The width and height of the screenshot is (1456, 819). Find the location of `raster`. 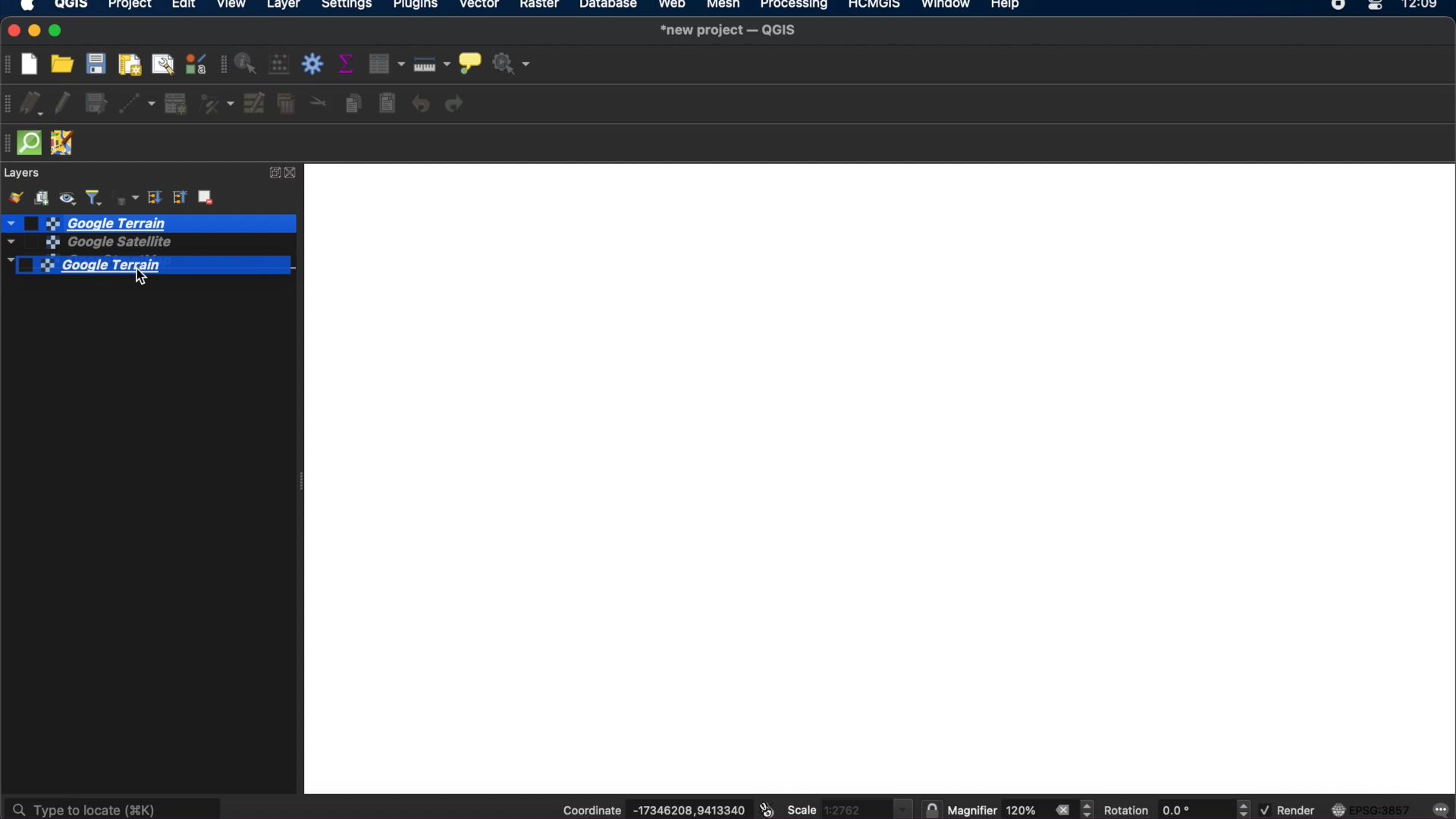

raster is located at coordinates (542, 7).